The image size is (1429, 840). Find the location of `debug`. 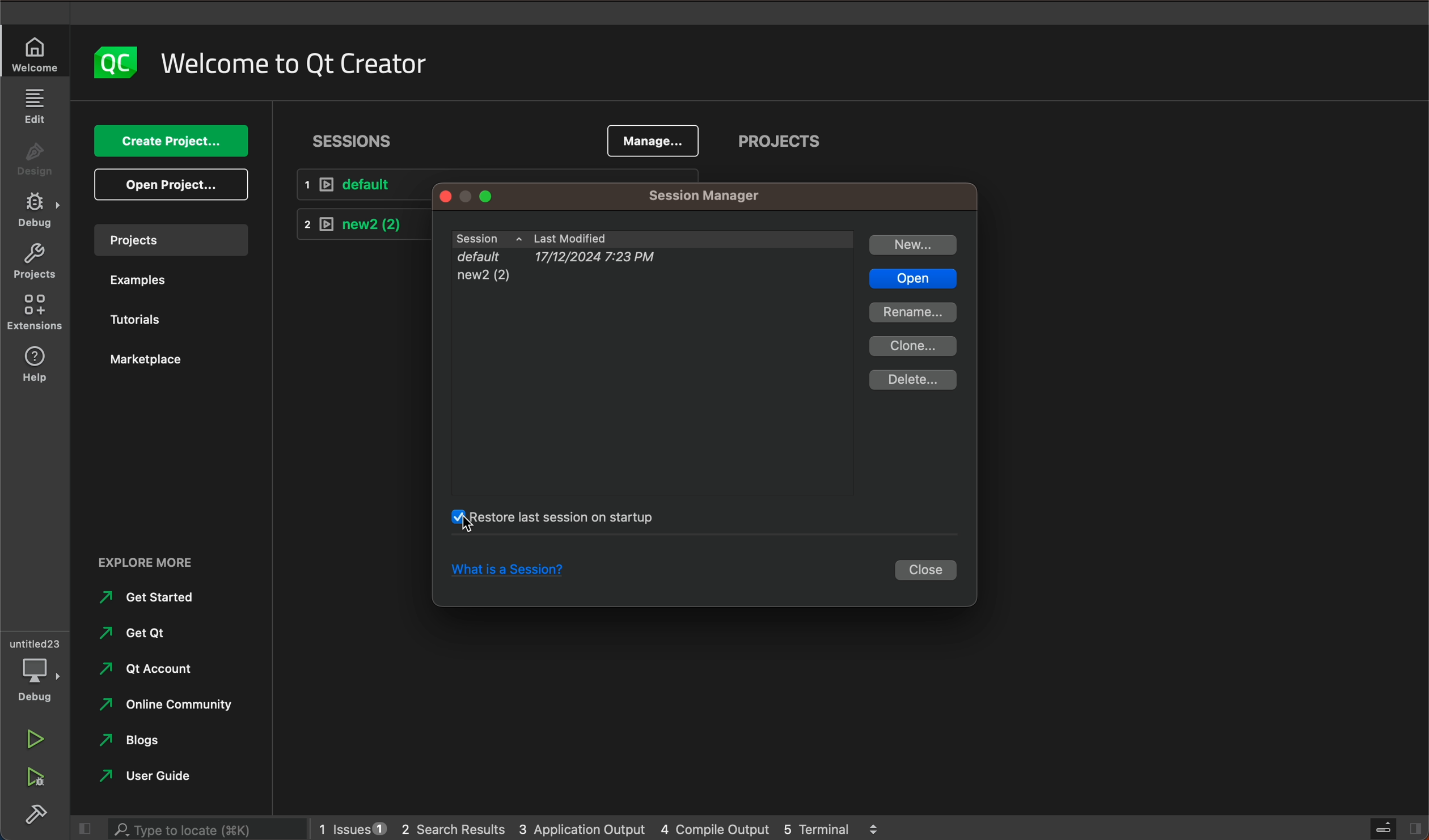

debug is located at coordinates (37, 209).